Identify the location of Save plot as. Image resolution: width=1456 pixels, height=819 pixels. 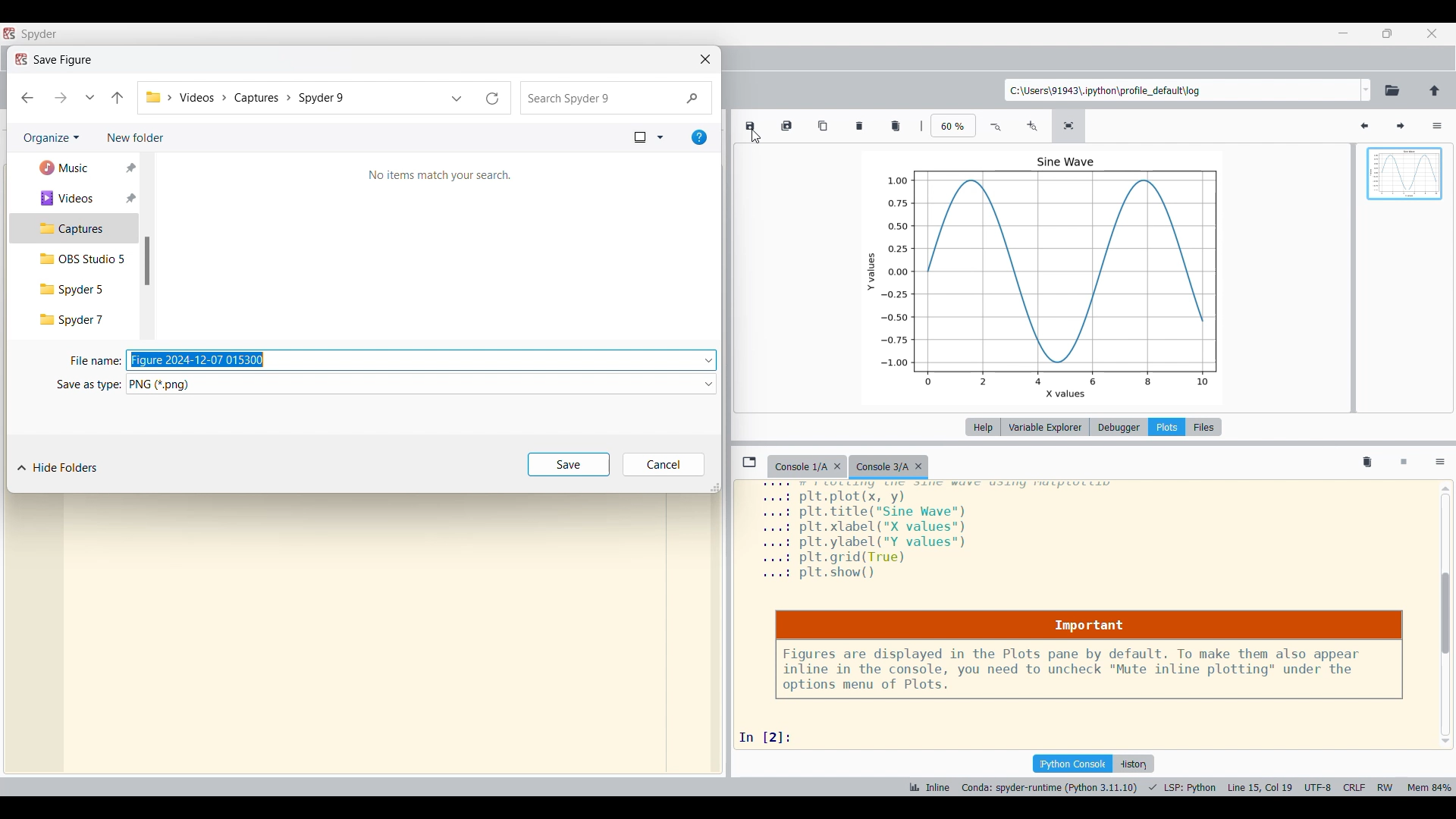
(749, 126).